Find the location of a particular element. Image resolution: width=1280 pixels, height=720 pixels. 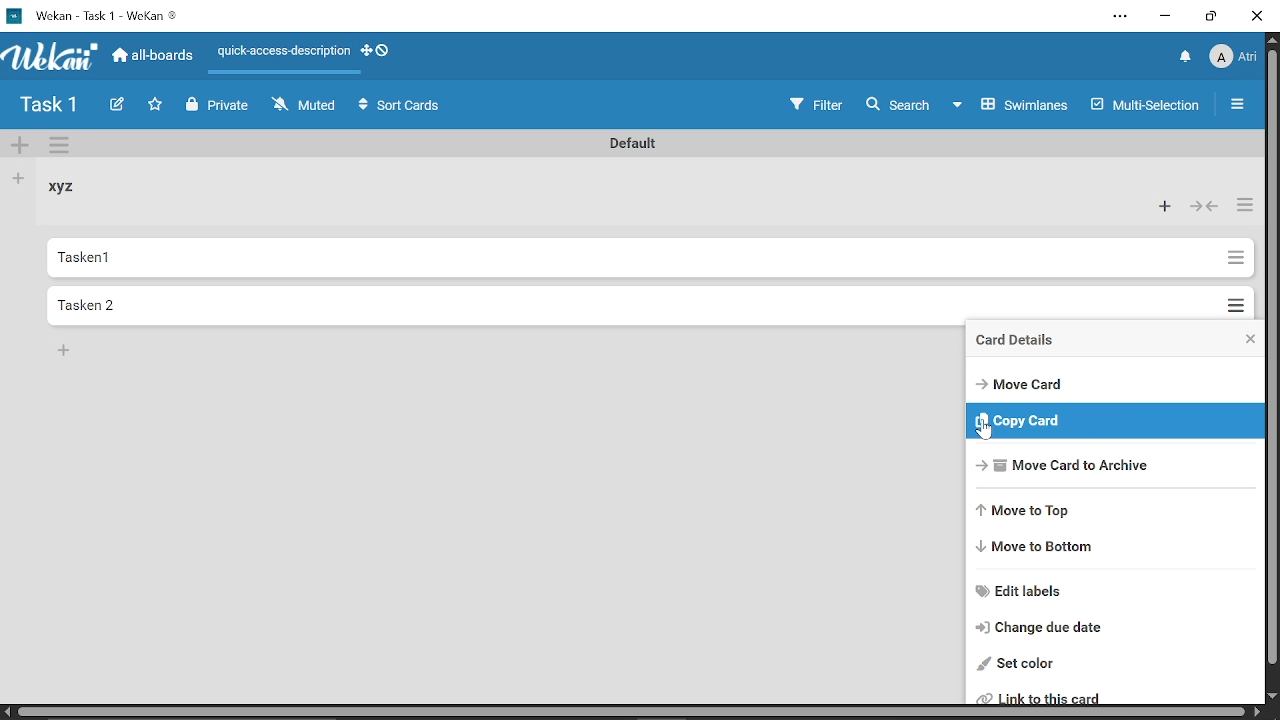

Link to this card is located at coordinates (1116, 696).